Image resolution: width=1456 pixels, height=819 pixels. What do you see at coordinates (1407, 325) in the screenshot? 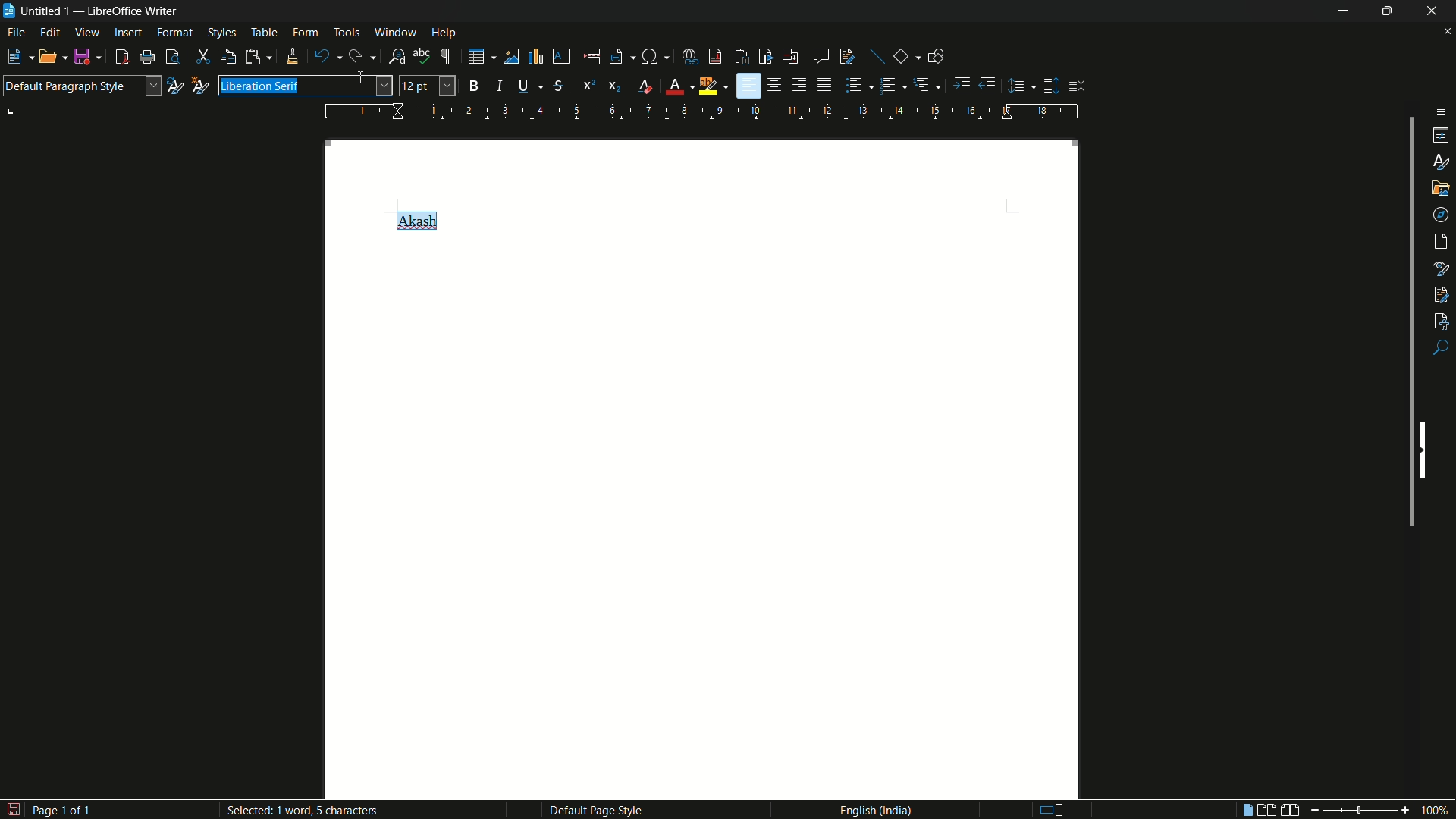
I see `scroll bar` at bounding box center [1407, 325].